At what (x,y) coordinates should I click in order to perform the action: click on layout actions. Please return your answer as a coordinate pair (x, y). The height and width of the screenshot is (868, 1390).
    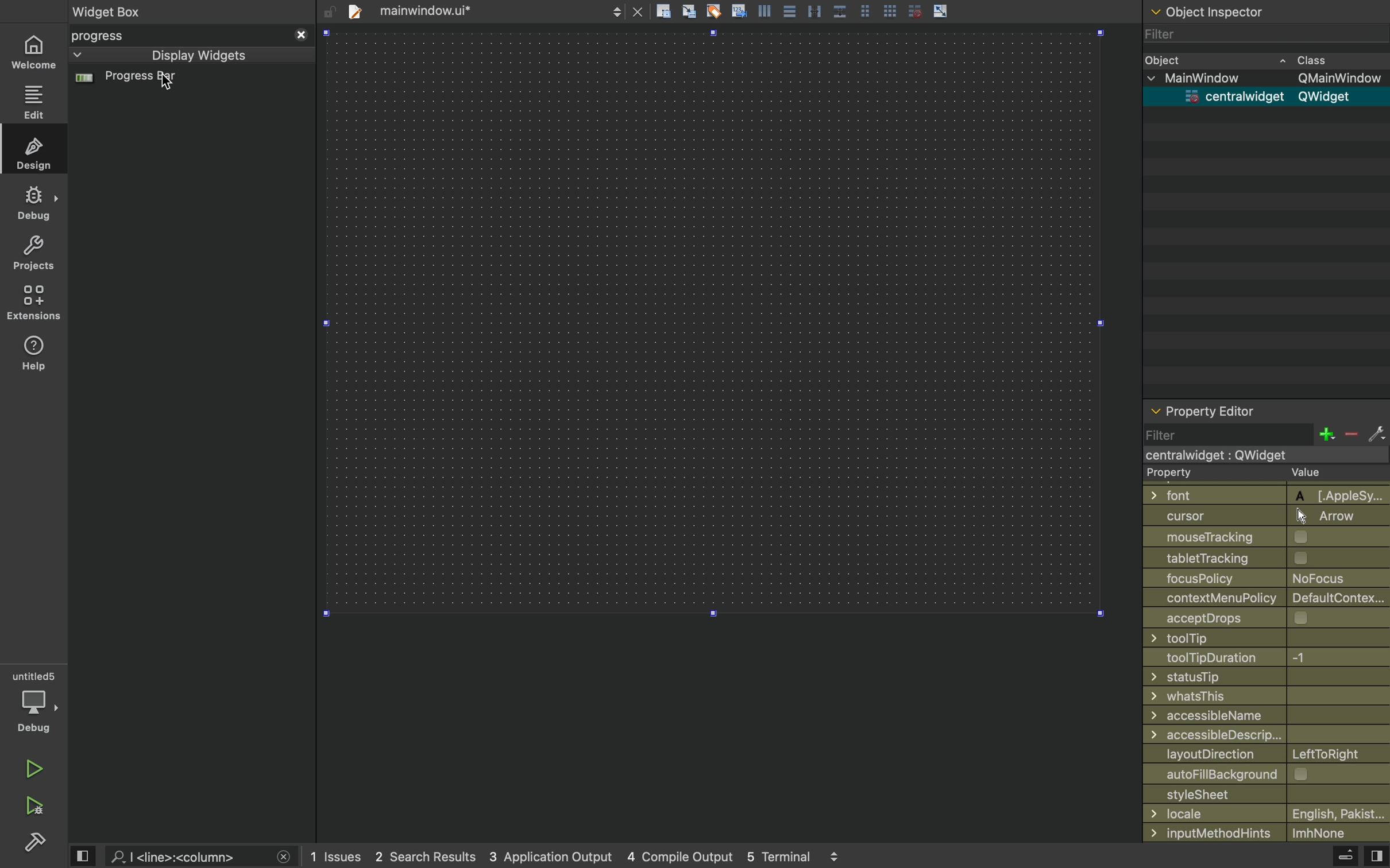
    Looking at the image, I should click on (856, 11).